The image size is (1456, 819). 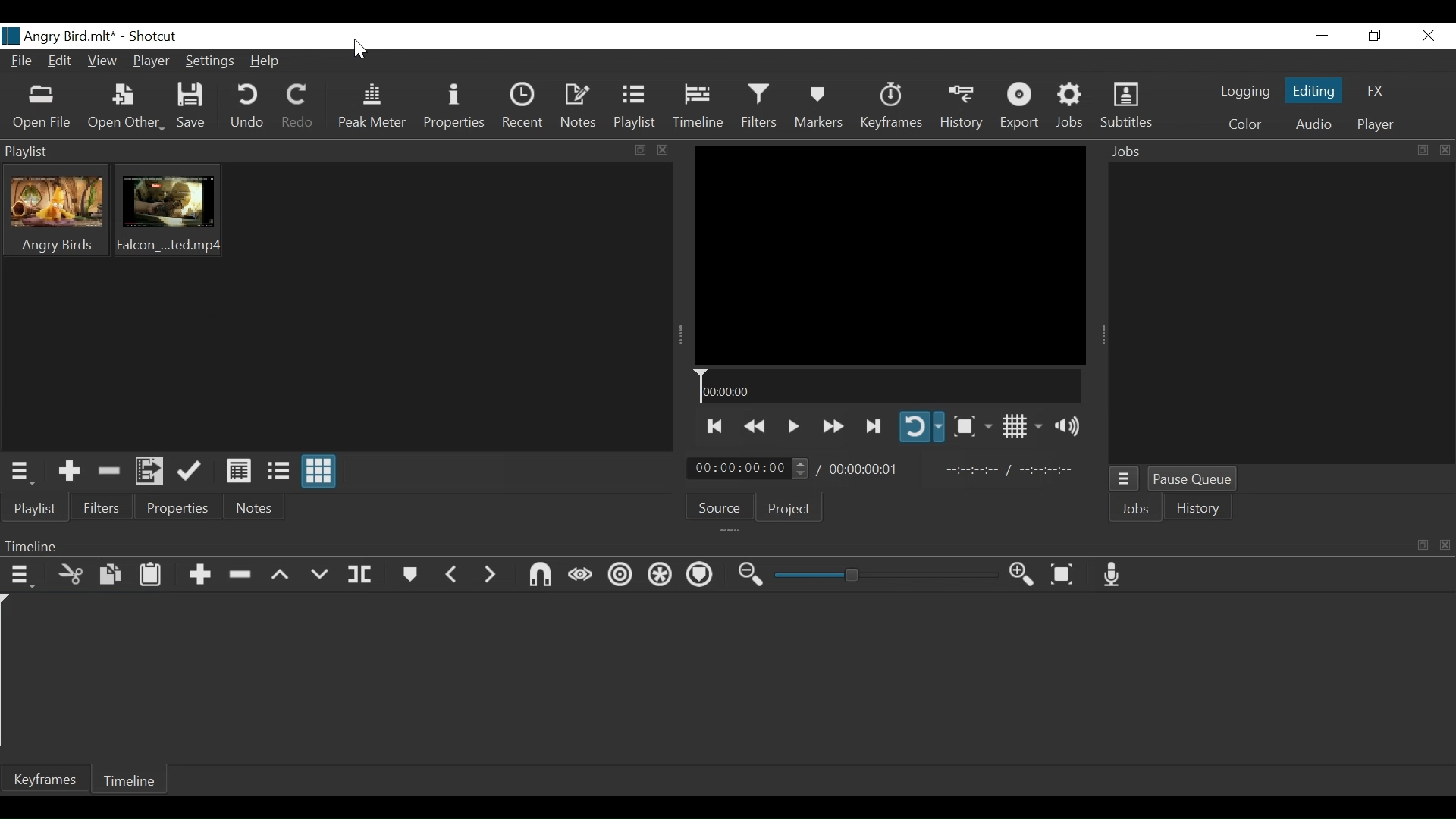 What do you see at coordinates (1244, 124) in the screenshot?
I see `` at bounding box center [1244, 124].